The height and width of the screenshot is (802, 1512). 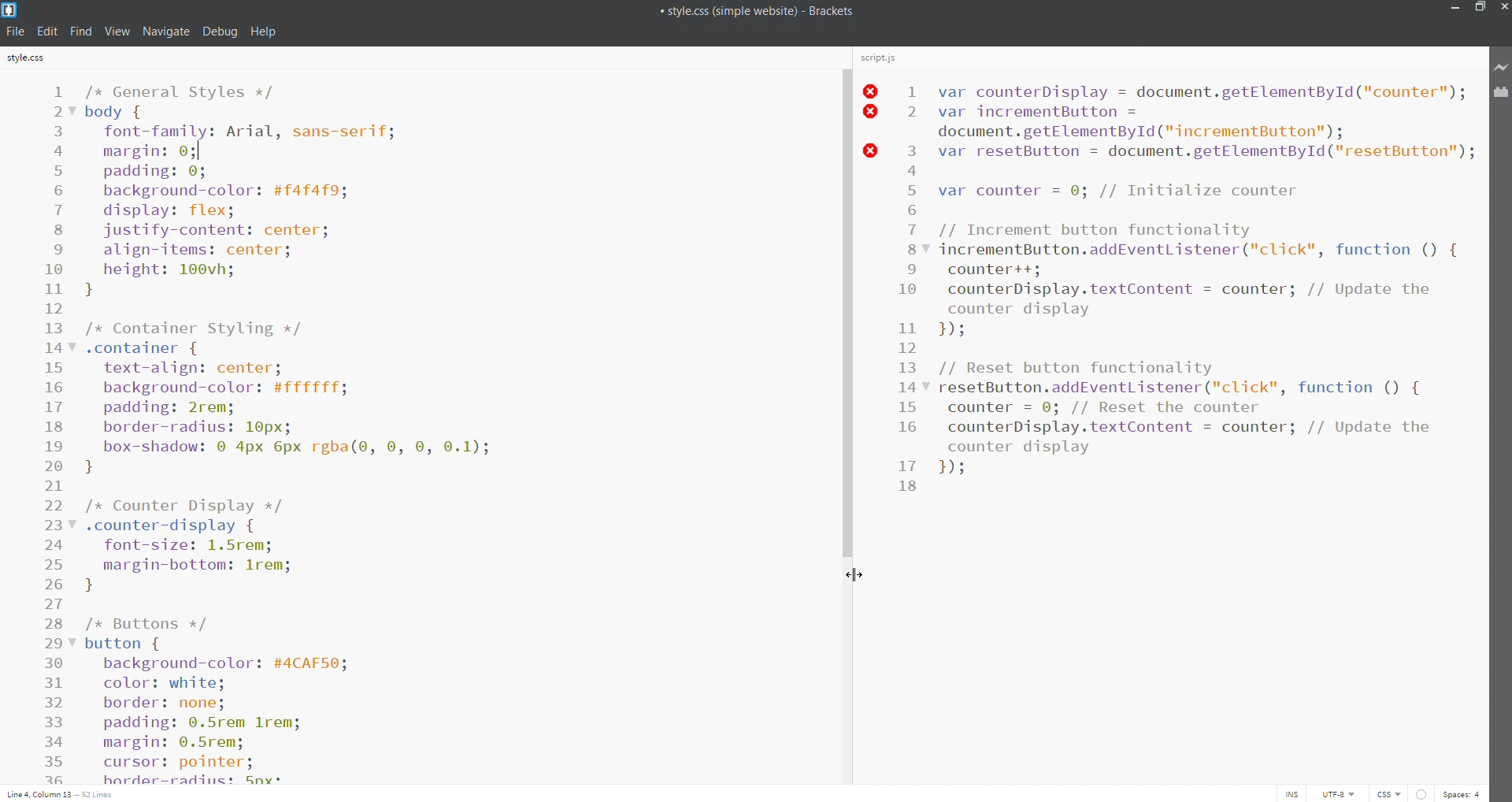 What do you see at coordinates (1202, 429) in the screenshot?
I see `script.js editor` at bounding box center [1202, 429].